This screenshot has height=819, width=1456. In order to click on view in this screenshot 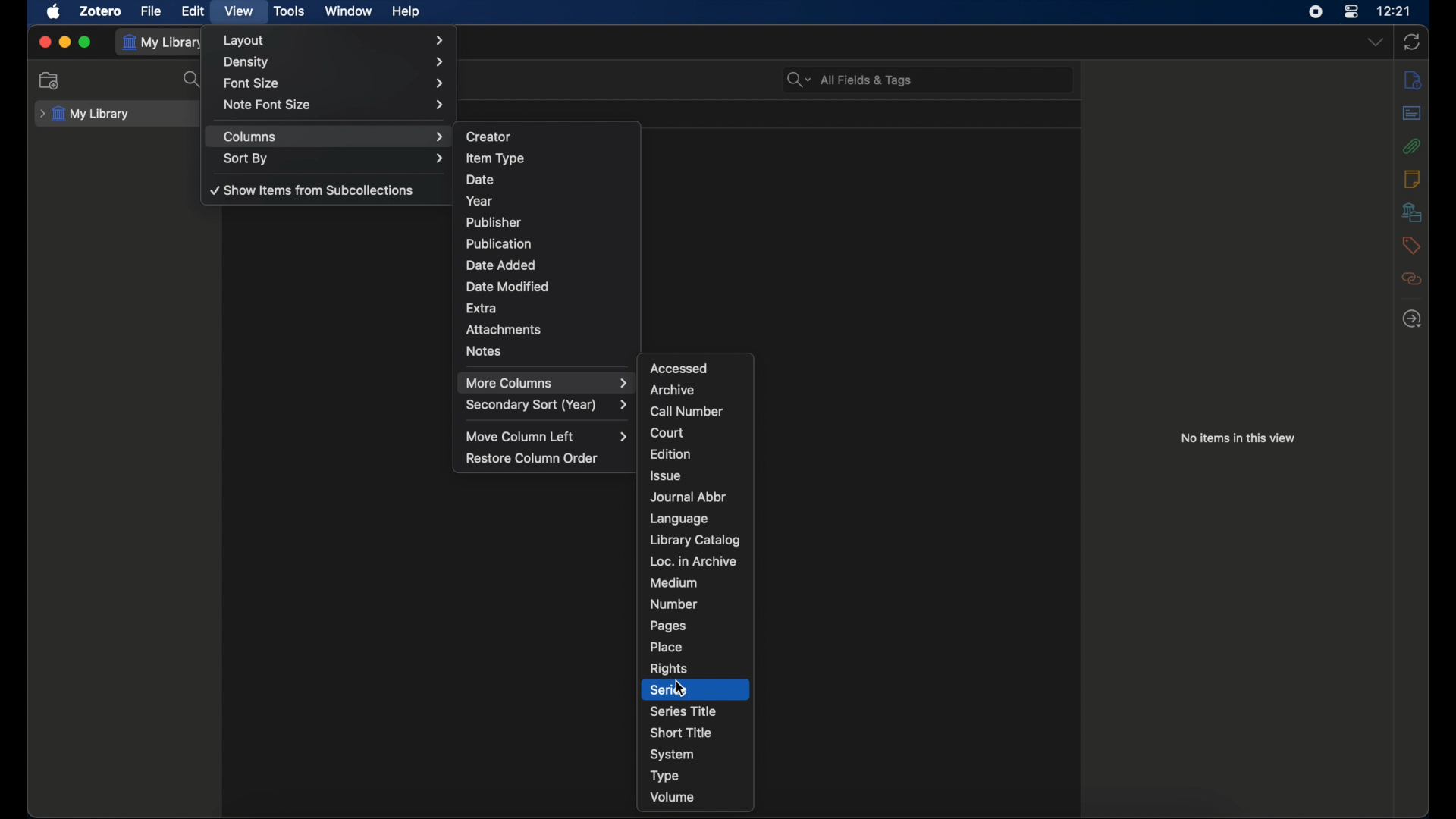, I will do `click(240, 11)`.